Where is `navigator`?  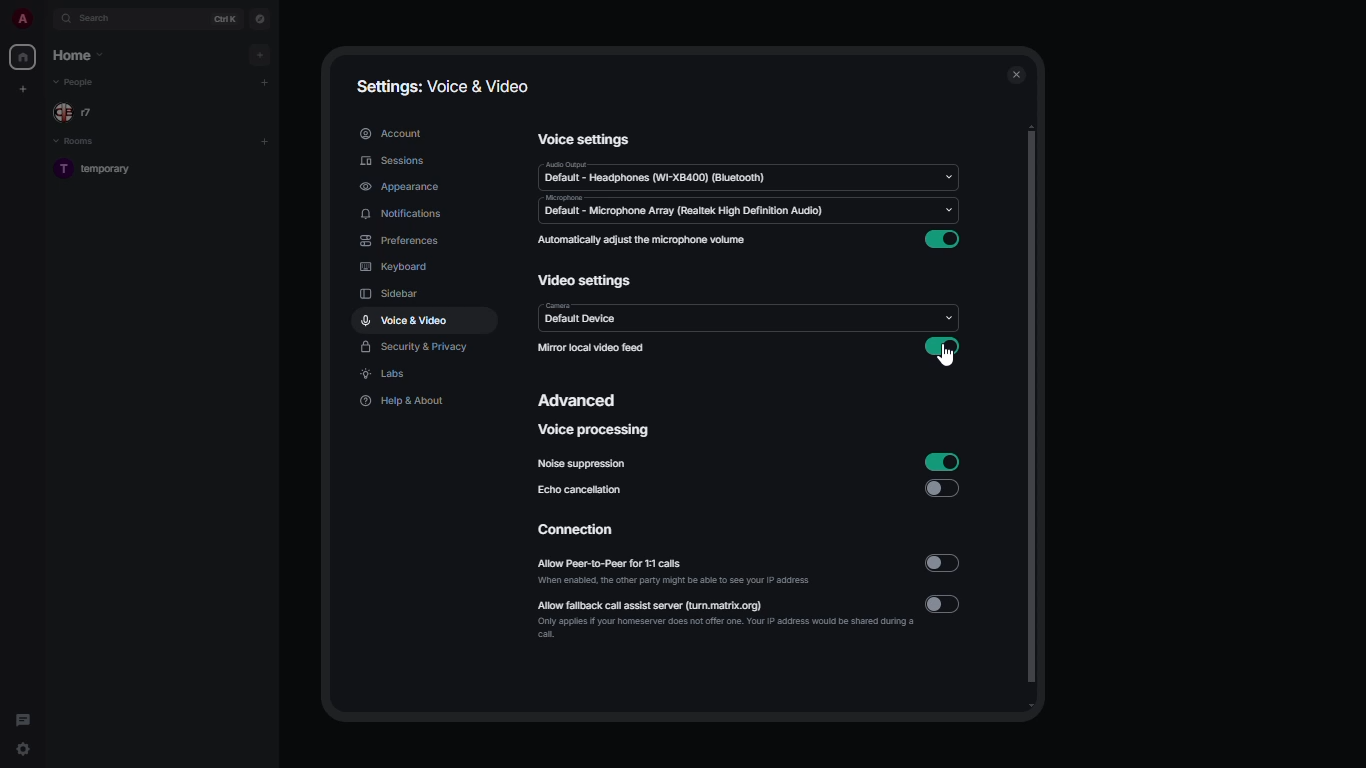 navigator is located at coordinates (260, 19).